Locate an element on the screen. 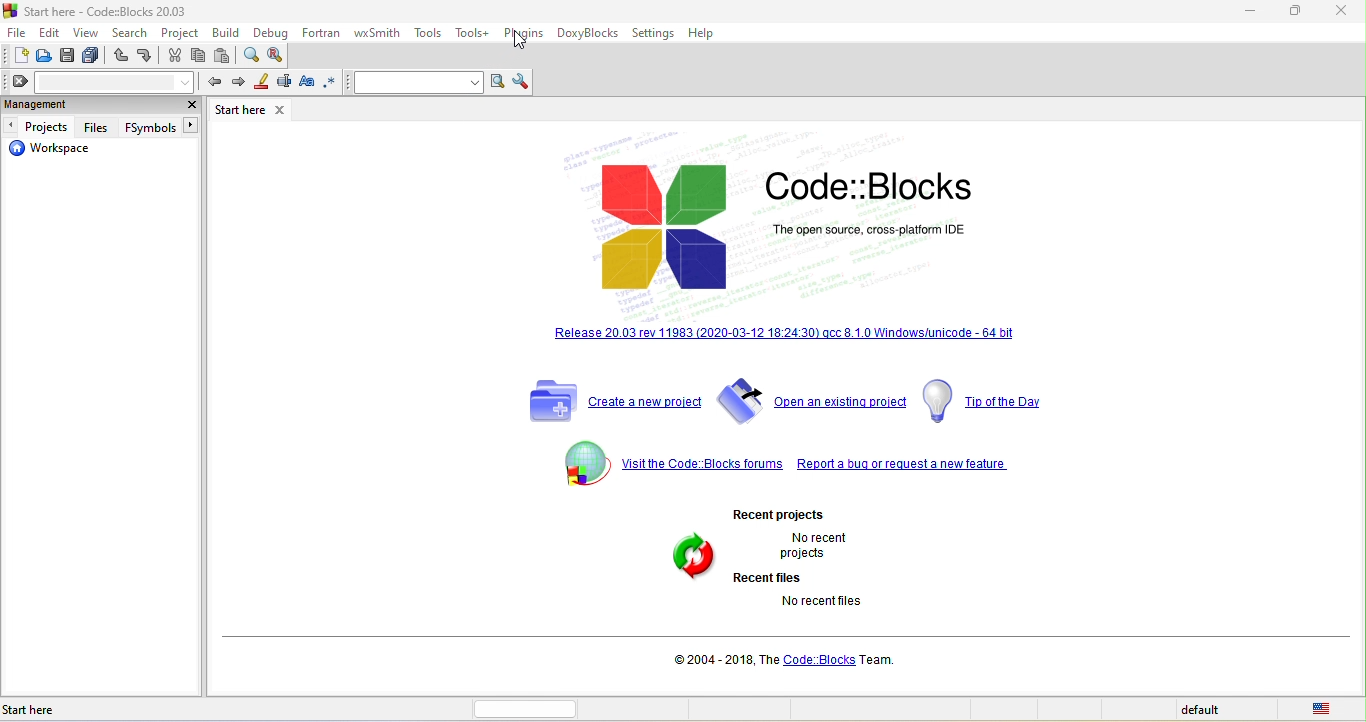 This screenshot has height=722, width=1366. recent file and projects is located at coordinates (794, 561).